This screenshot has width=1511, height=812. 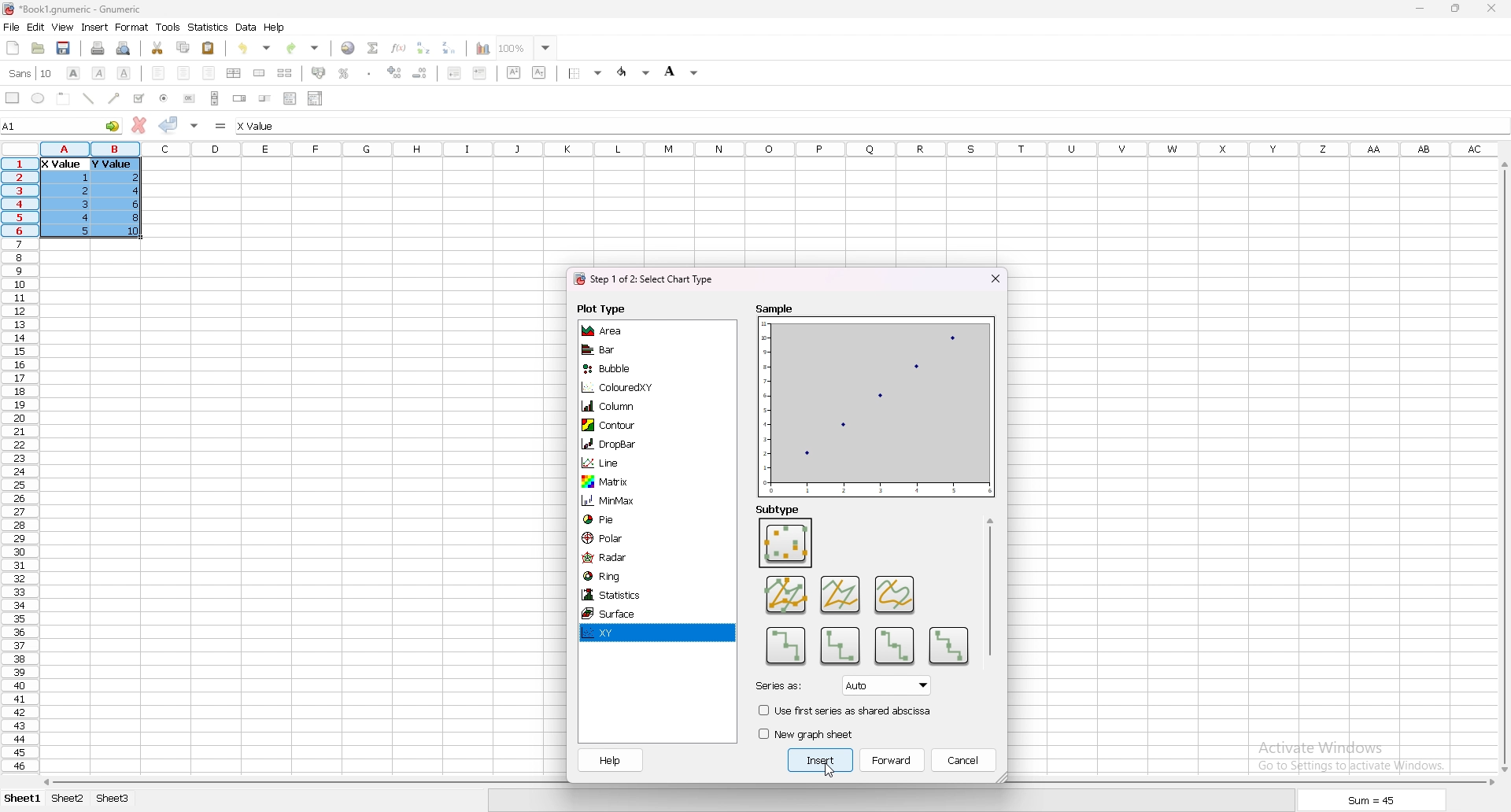 What do you see at coordinates (266, 98) in the screenshot?
I see `slider` at bounding box center [266, 98].